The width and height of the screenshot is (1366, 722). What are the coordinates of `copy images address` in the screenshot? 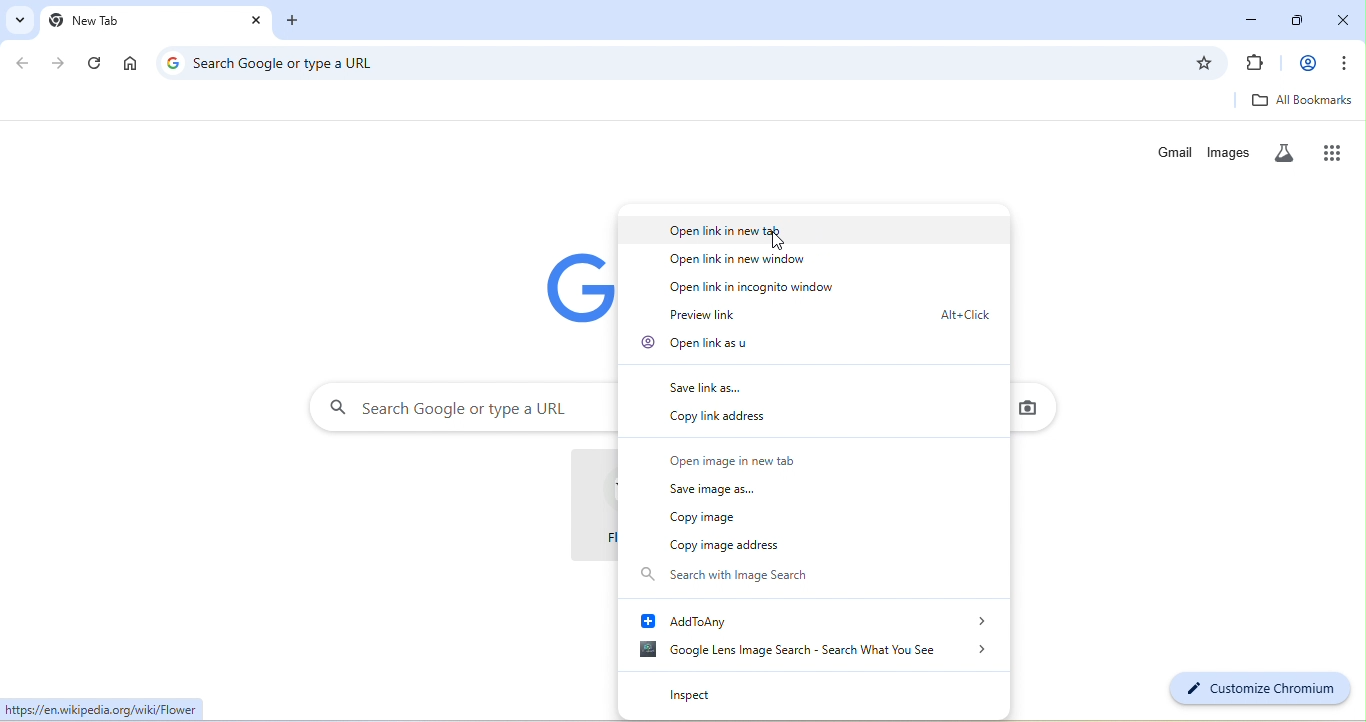 It's located at (729, 545).